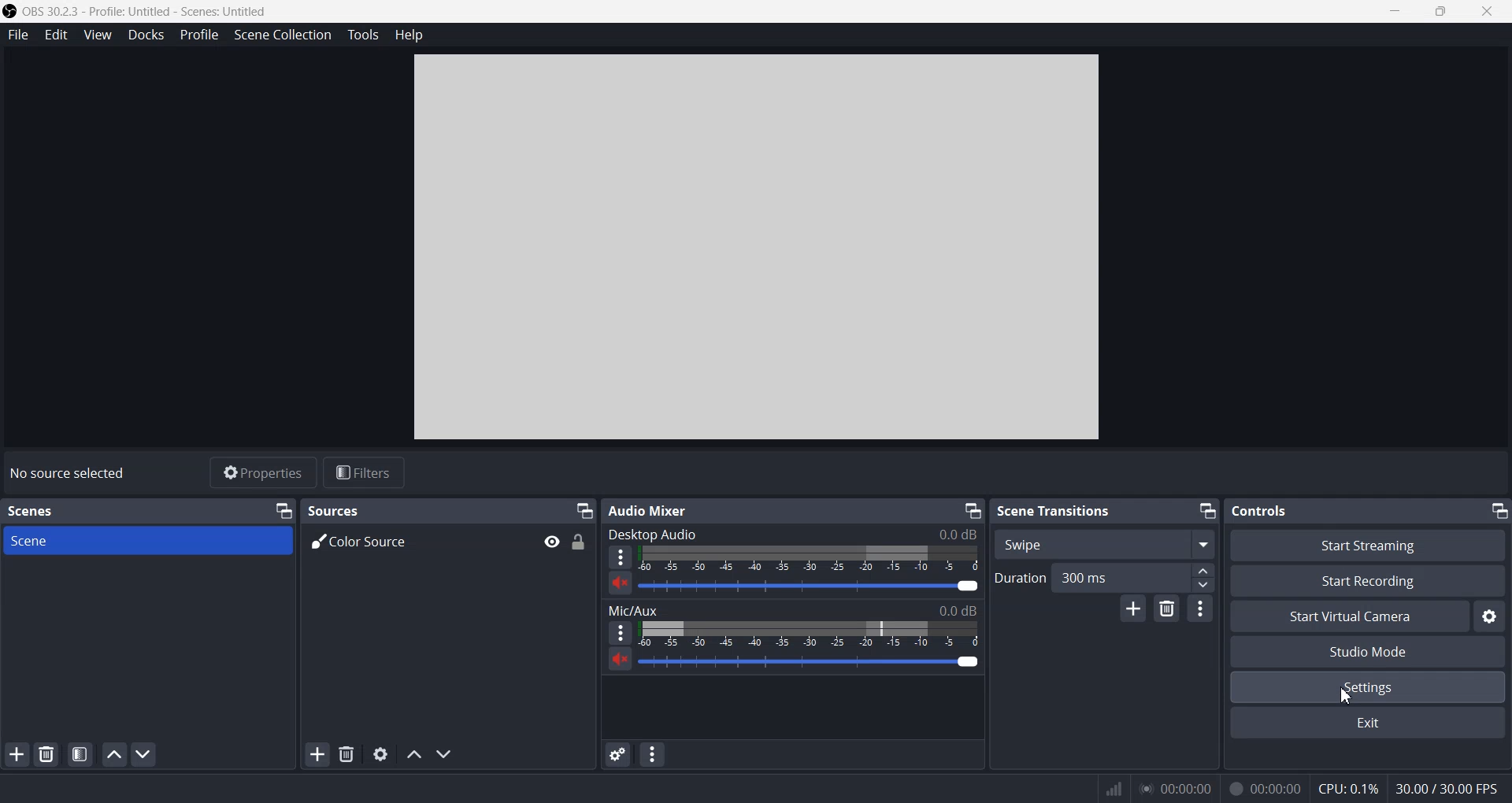 The image size is (1512, 803). Describe the element at coordinates (1367, 653) in the screenshot. I see `Studio Mode` at that location.